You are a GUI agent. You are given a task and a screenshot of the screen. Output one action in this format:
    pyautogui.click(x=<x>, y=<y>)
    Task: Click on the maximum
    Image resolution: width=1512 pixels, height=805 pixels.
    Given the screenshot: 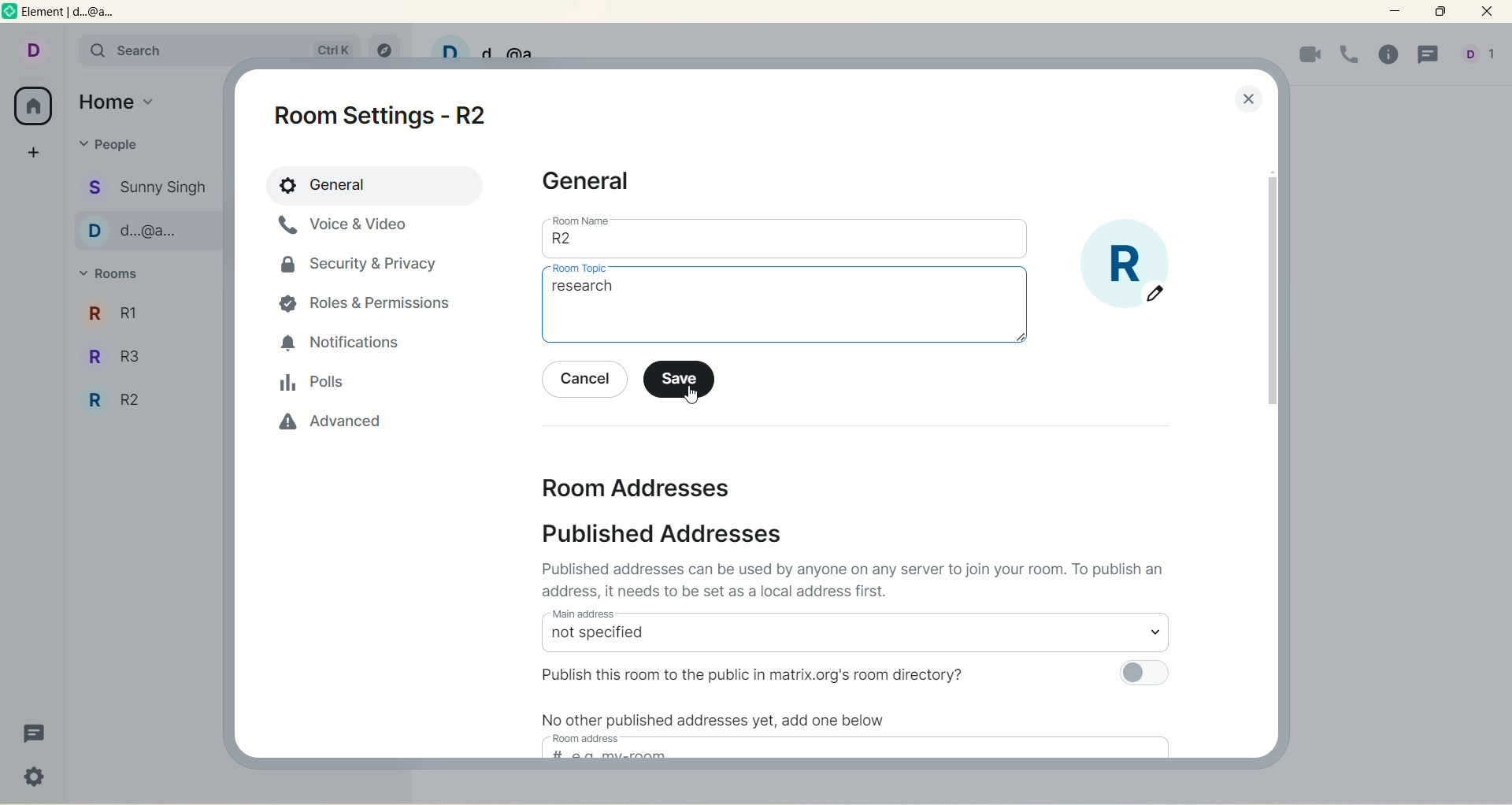 What is the action you would take?
    pyautogui.click(x=1440, y=12)
    